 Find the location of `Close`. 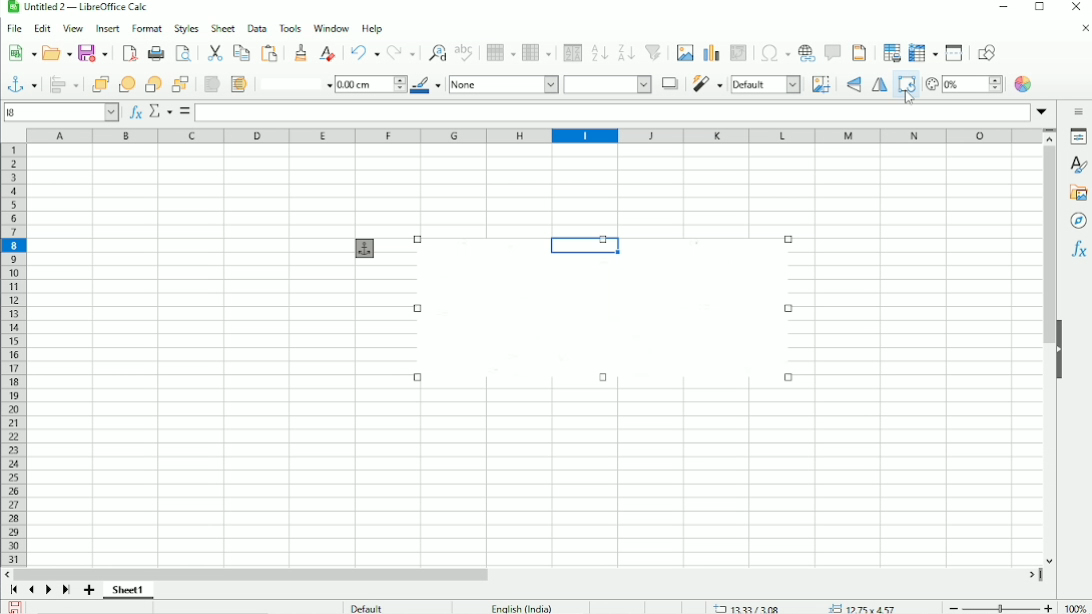

Close is located at coordinates (1075, 7).